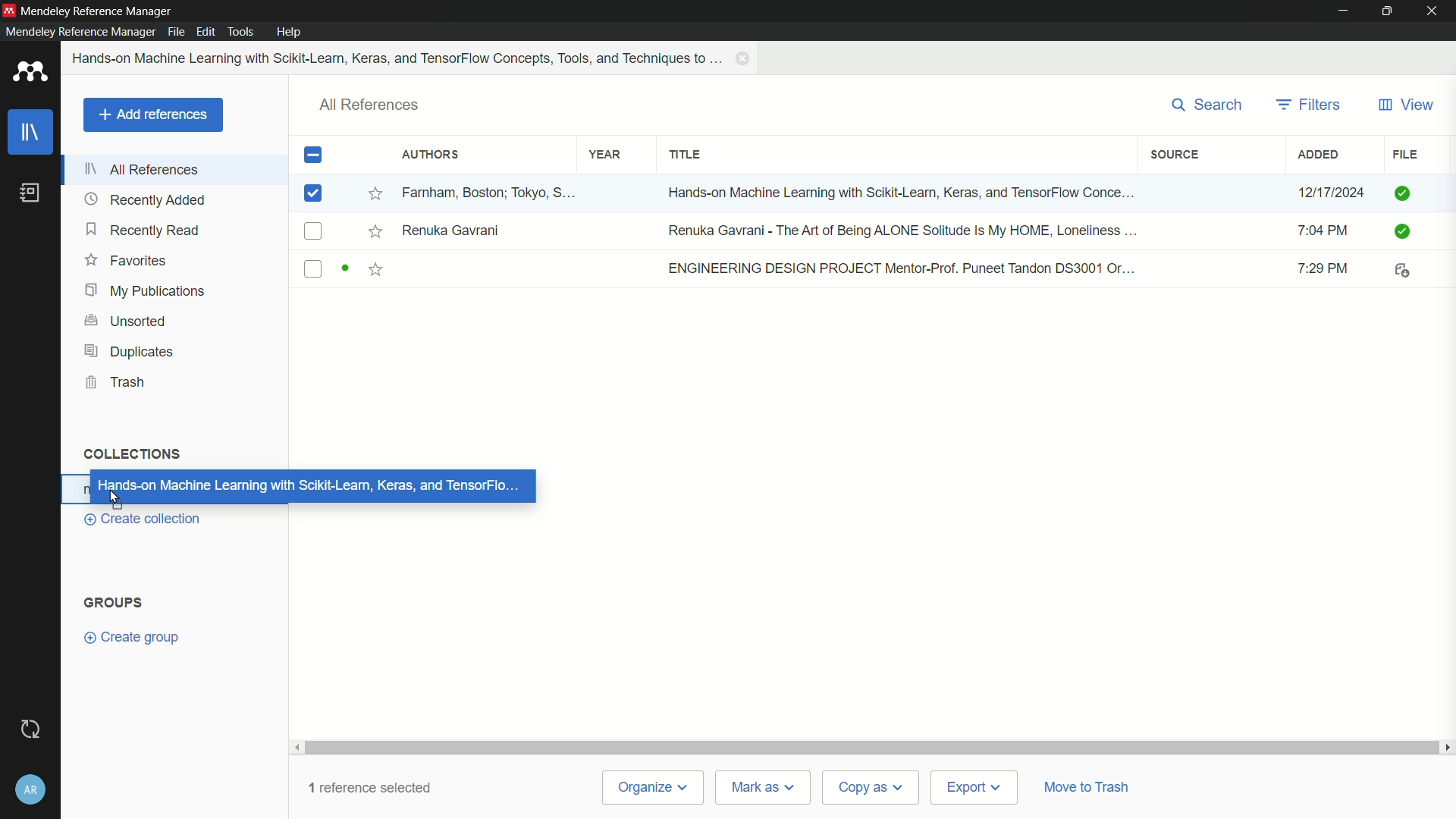 The height and width of the screenshot is (819, 1456). Describe the element at coordinates (686, 155) in the screenshot. I see `title` at that location.